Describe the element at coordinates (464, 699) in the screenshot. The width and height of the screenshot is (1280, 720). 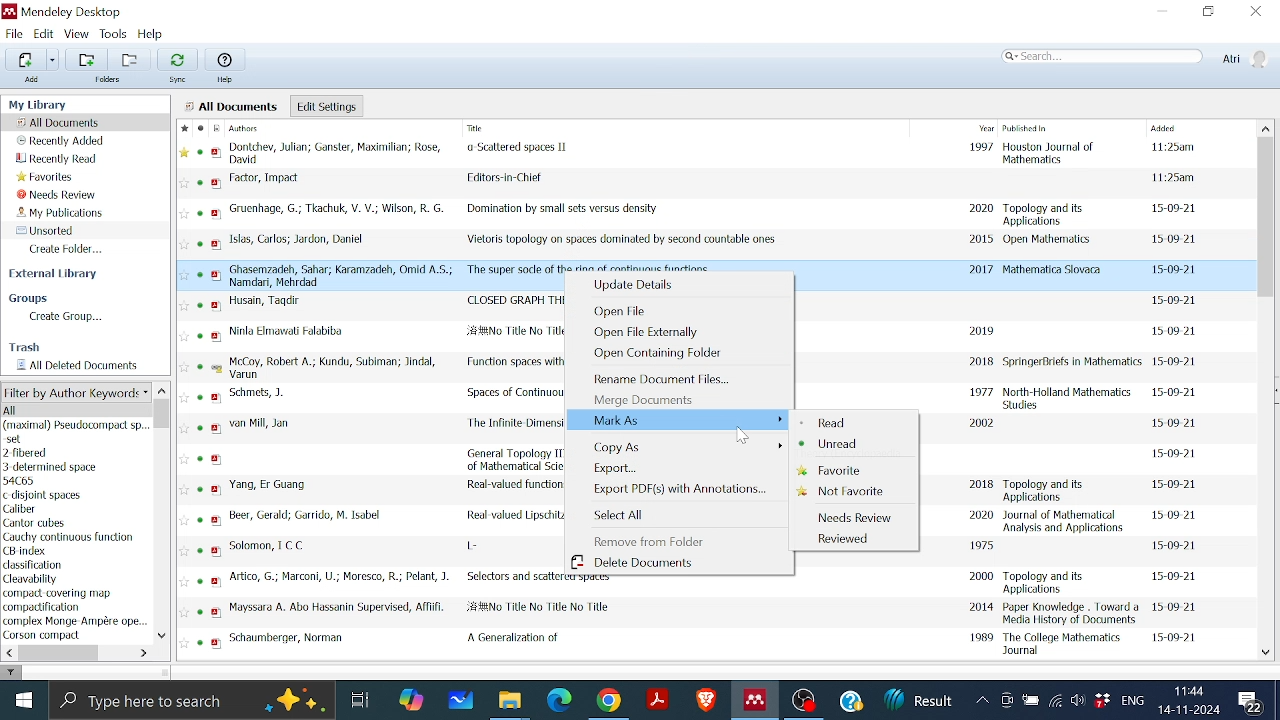
I see `Whiteboard` at that location.